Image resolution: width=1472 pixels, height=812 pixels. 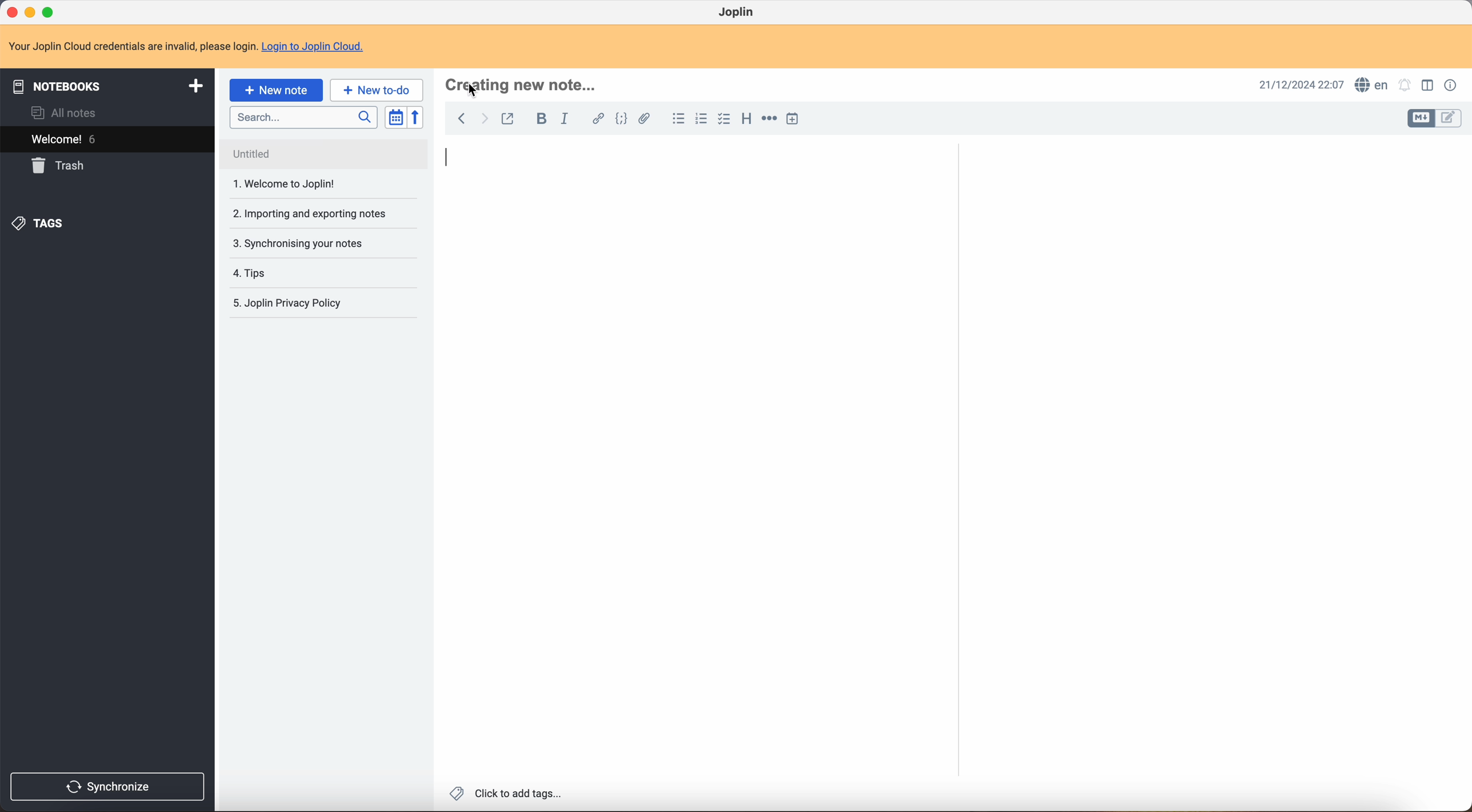 What do you see at coordinates (738, 11) in the screenshot?
I see `Joplin` at bounding box center [738, 11].